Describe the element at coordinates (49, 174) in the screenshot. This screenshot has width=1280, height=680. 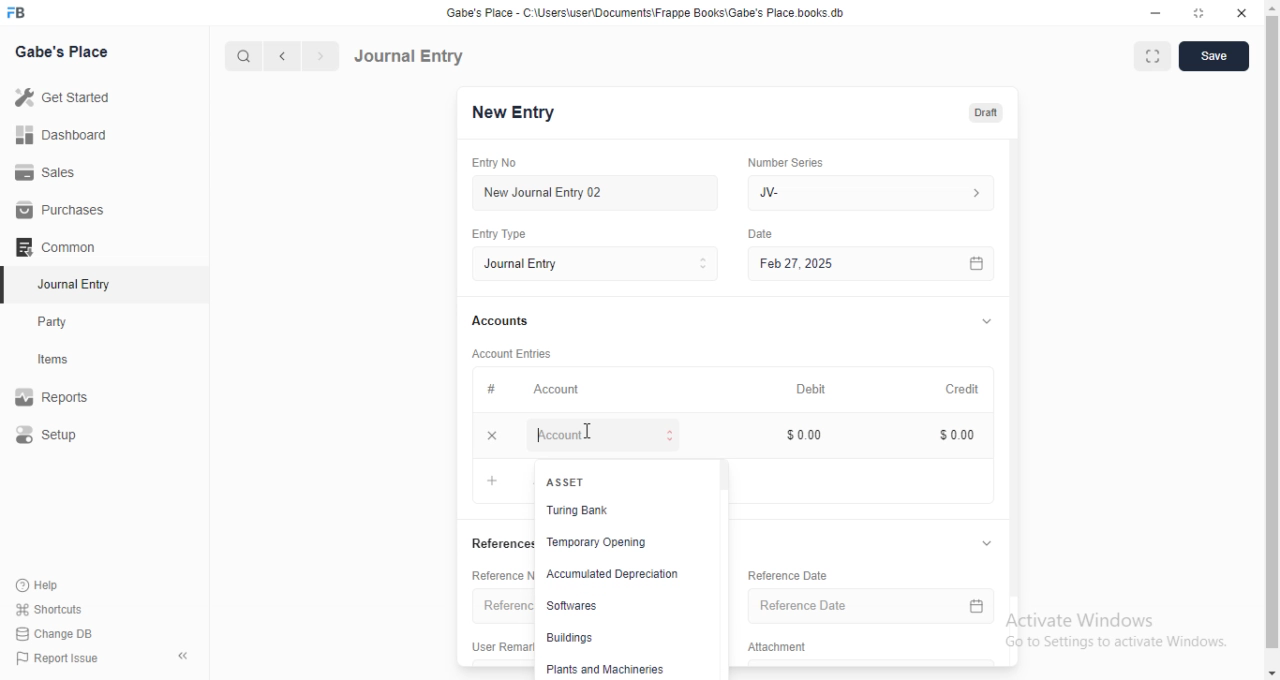
I see `Sales` at that location.